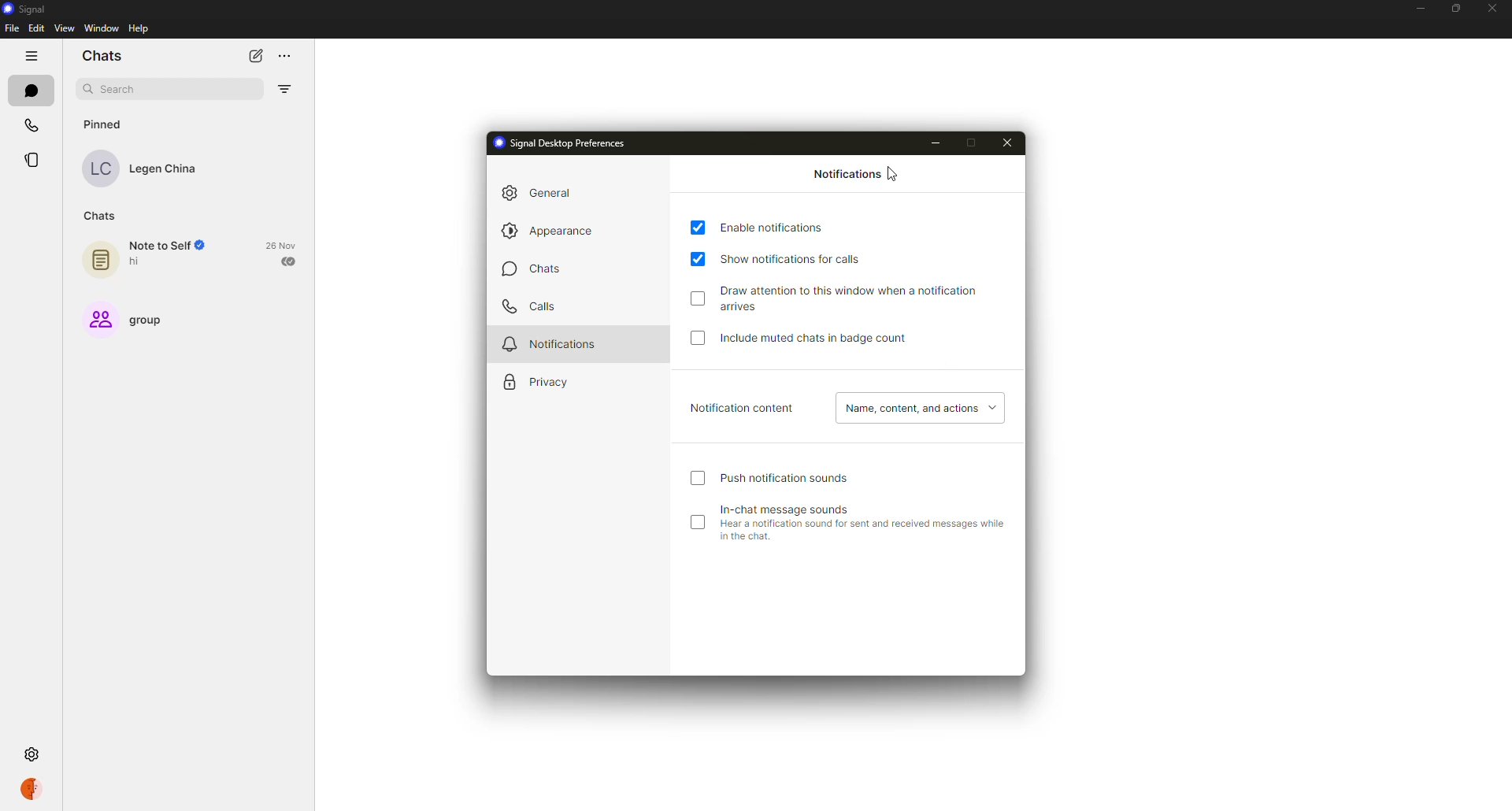 The height and width of the screenshot is (811, 1512). I want to click on enabled, so click(696, 226).